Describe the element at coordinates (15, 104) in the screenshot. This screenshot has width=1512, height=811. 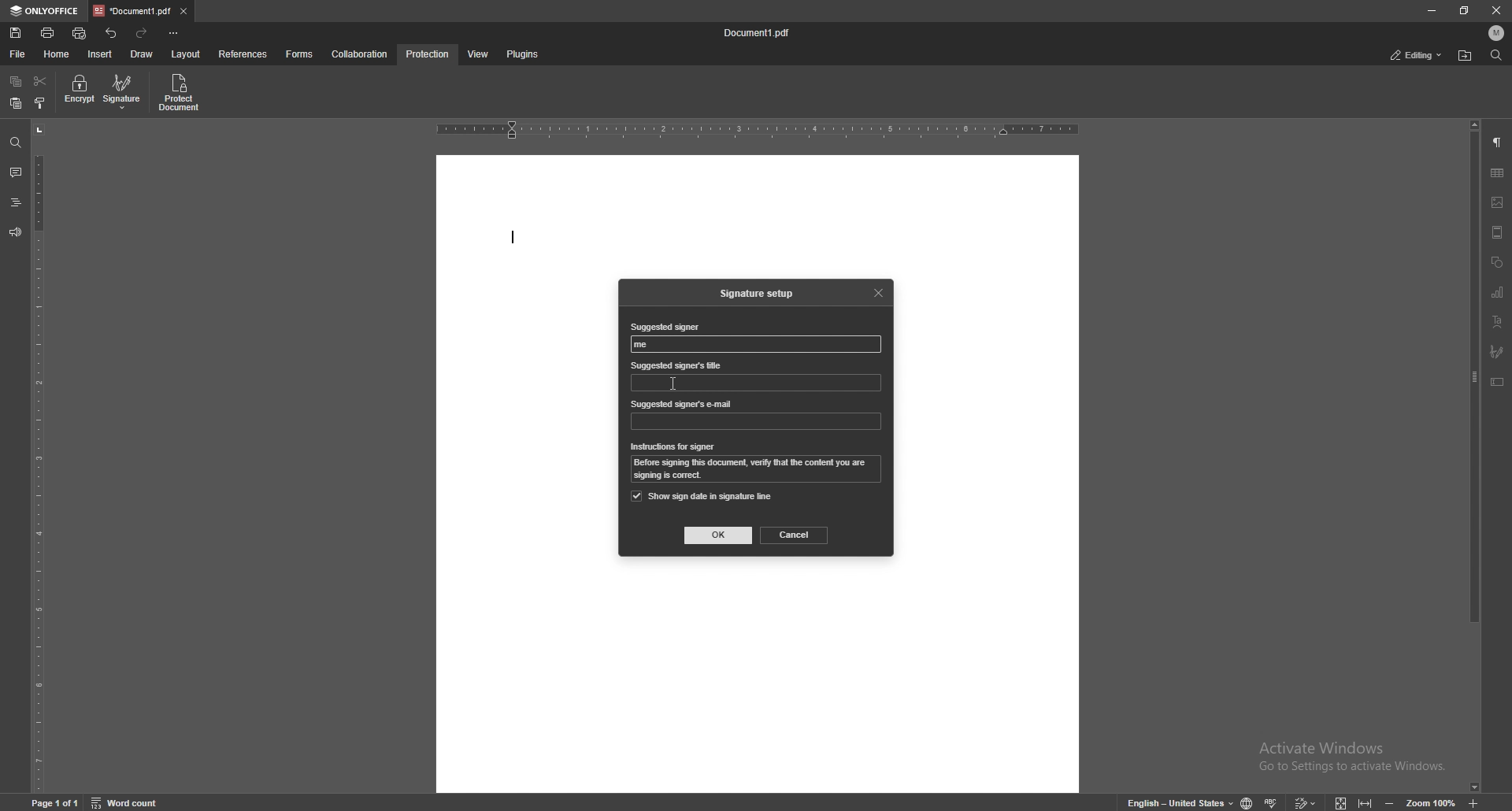
I see `paste` at that location.